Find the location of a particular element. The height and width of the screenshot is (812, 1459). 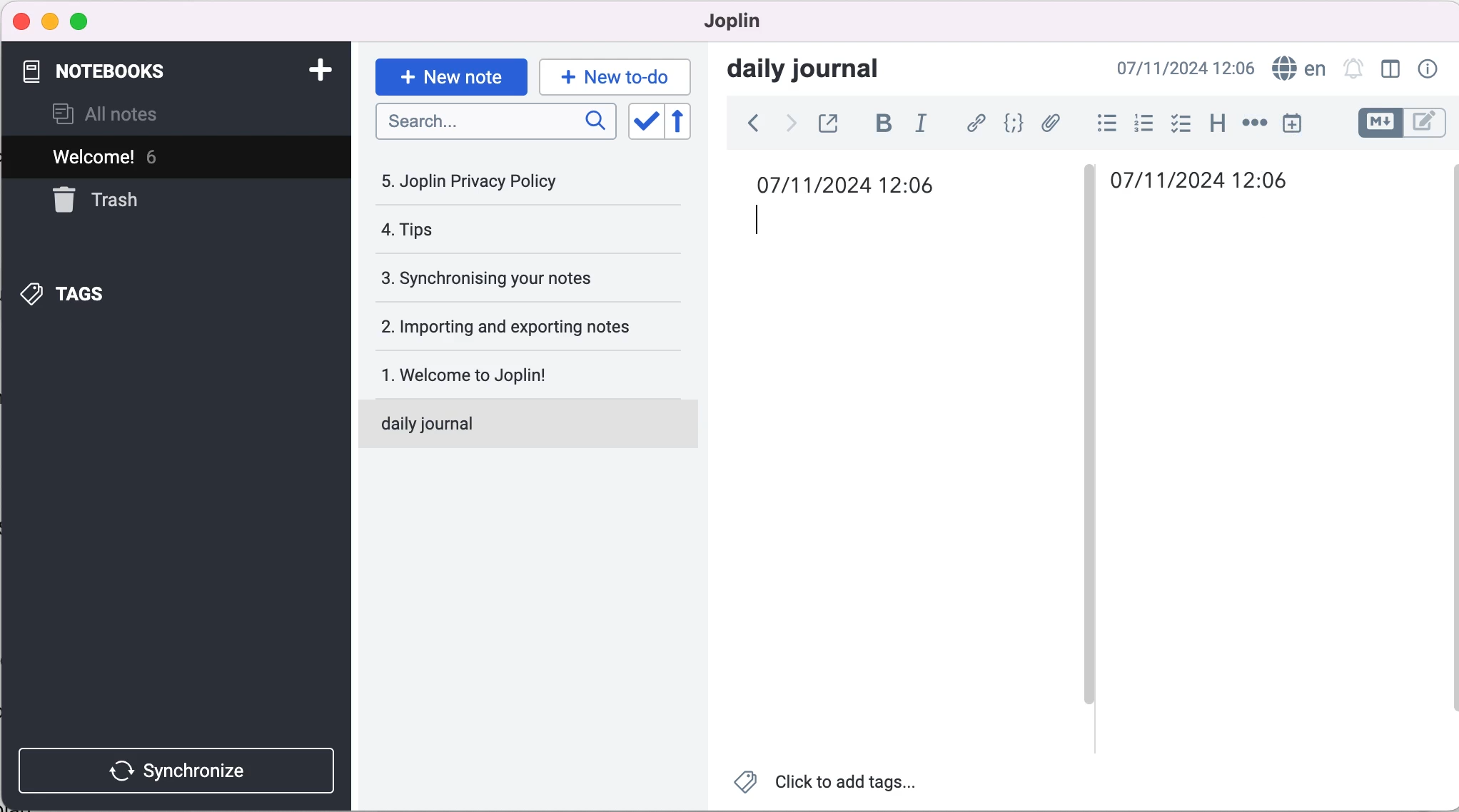

reverse sort order is located at coordinates (684, 123).